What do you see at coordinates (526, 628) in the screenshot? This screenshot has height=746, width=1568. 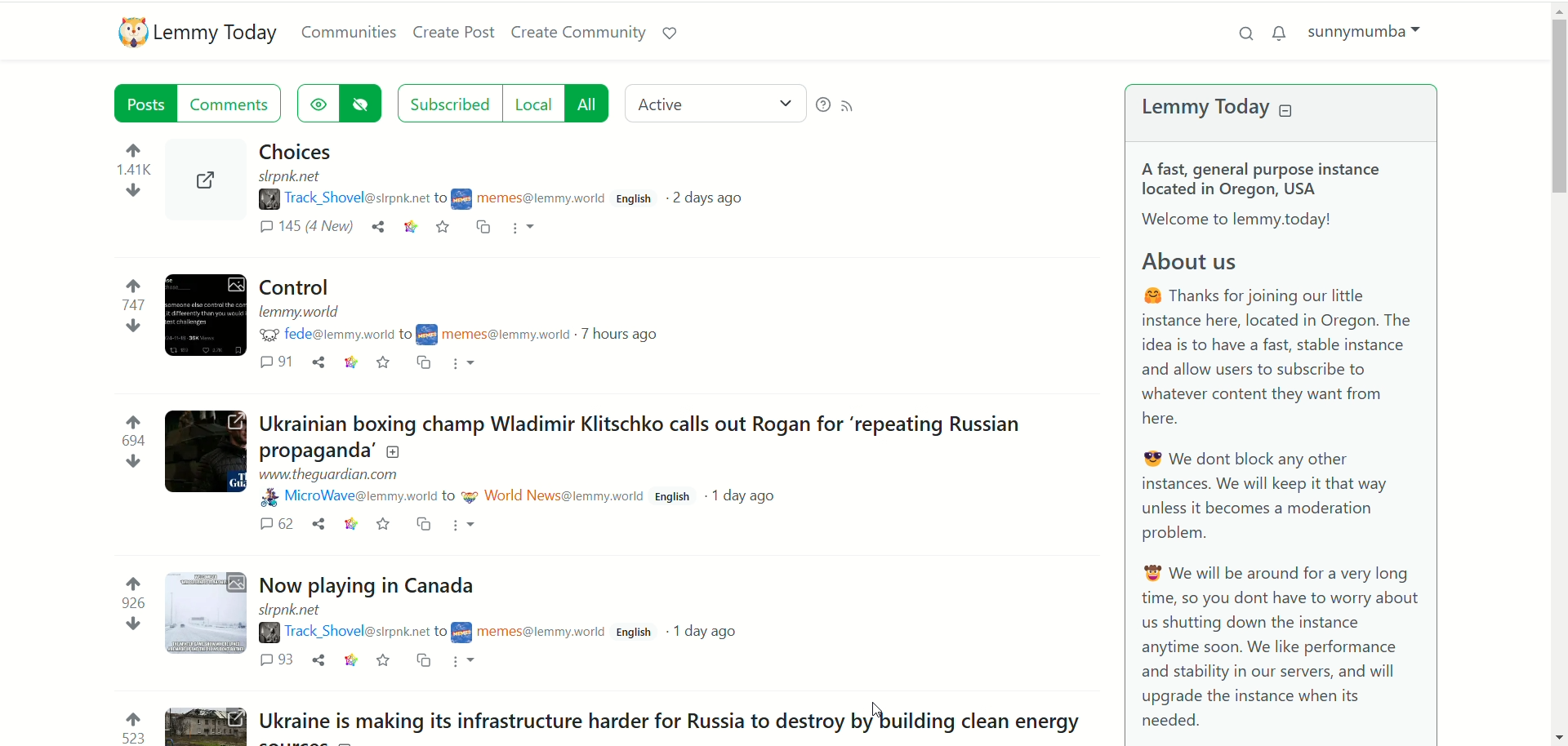 I see `community` at bounding box center [526, 628].